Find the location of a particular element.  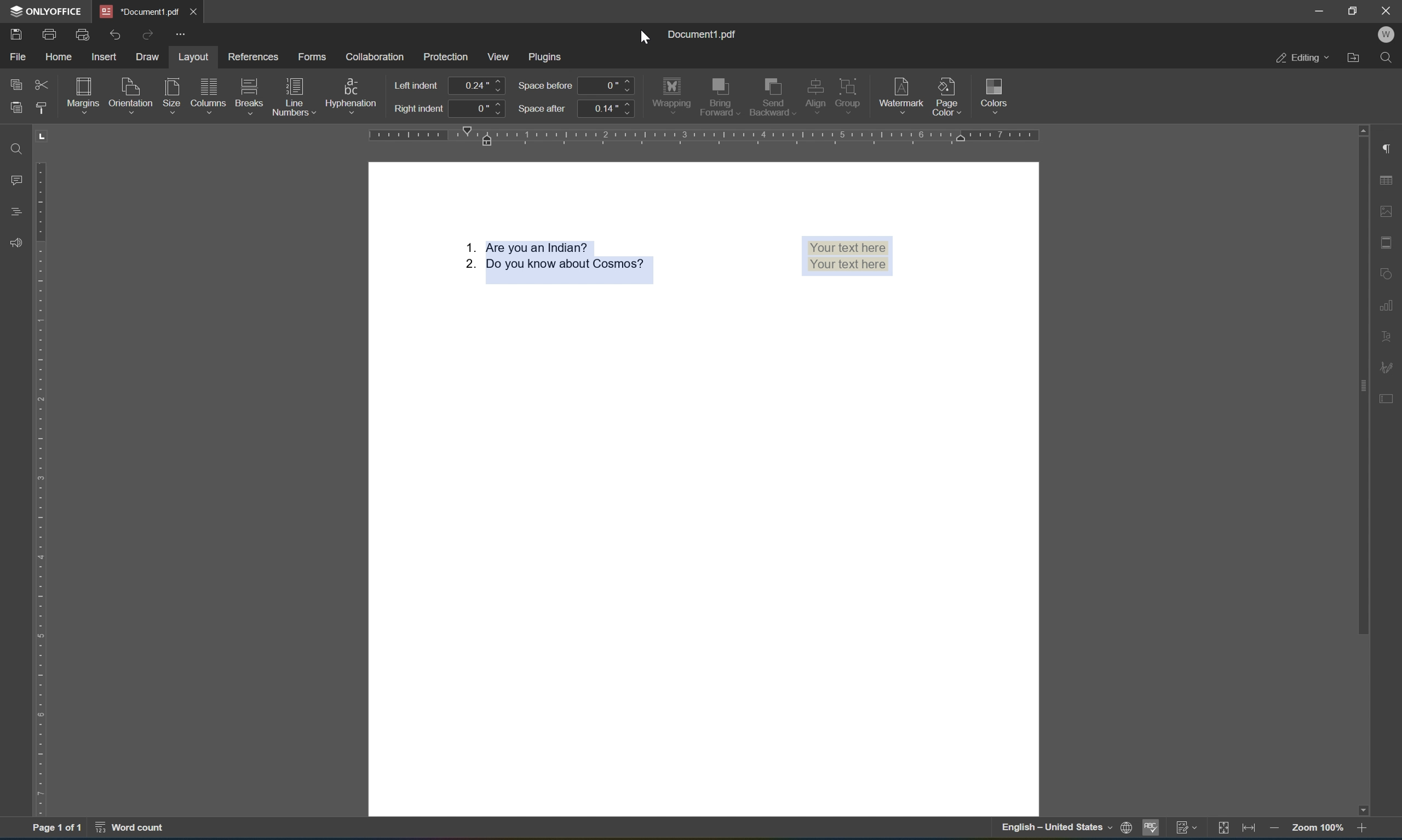

space after is located at coordinates (543, 109).